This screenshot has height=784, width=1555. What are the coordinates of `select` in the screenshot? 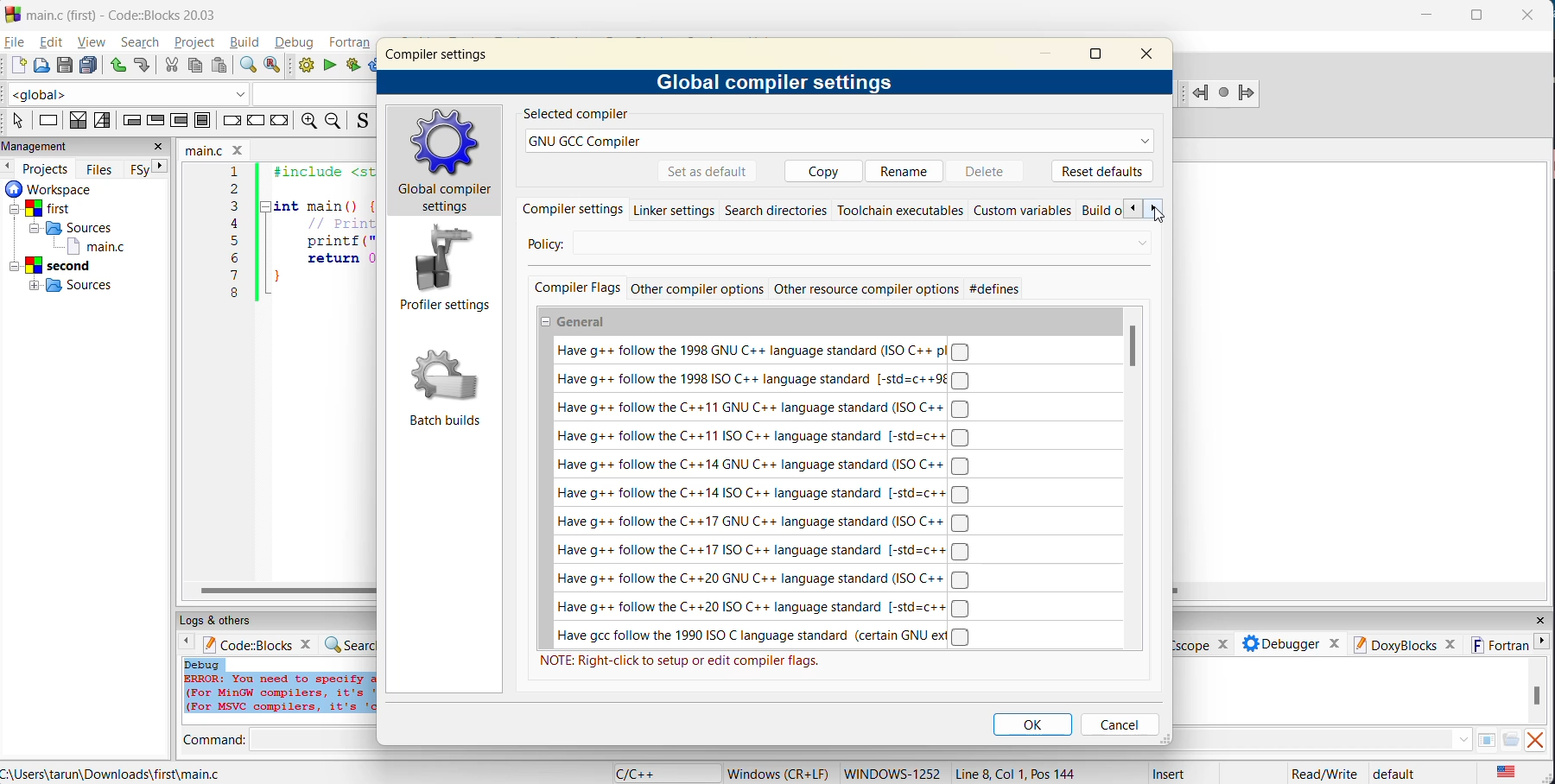 It's located at (18, 122).